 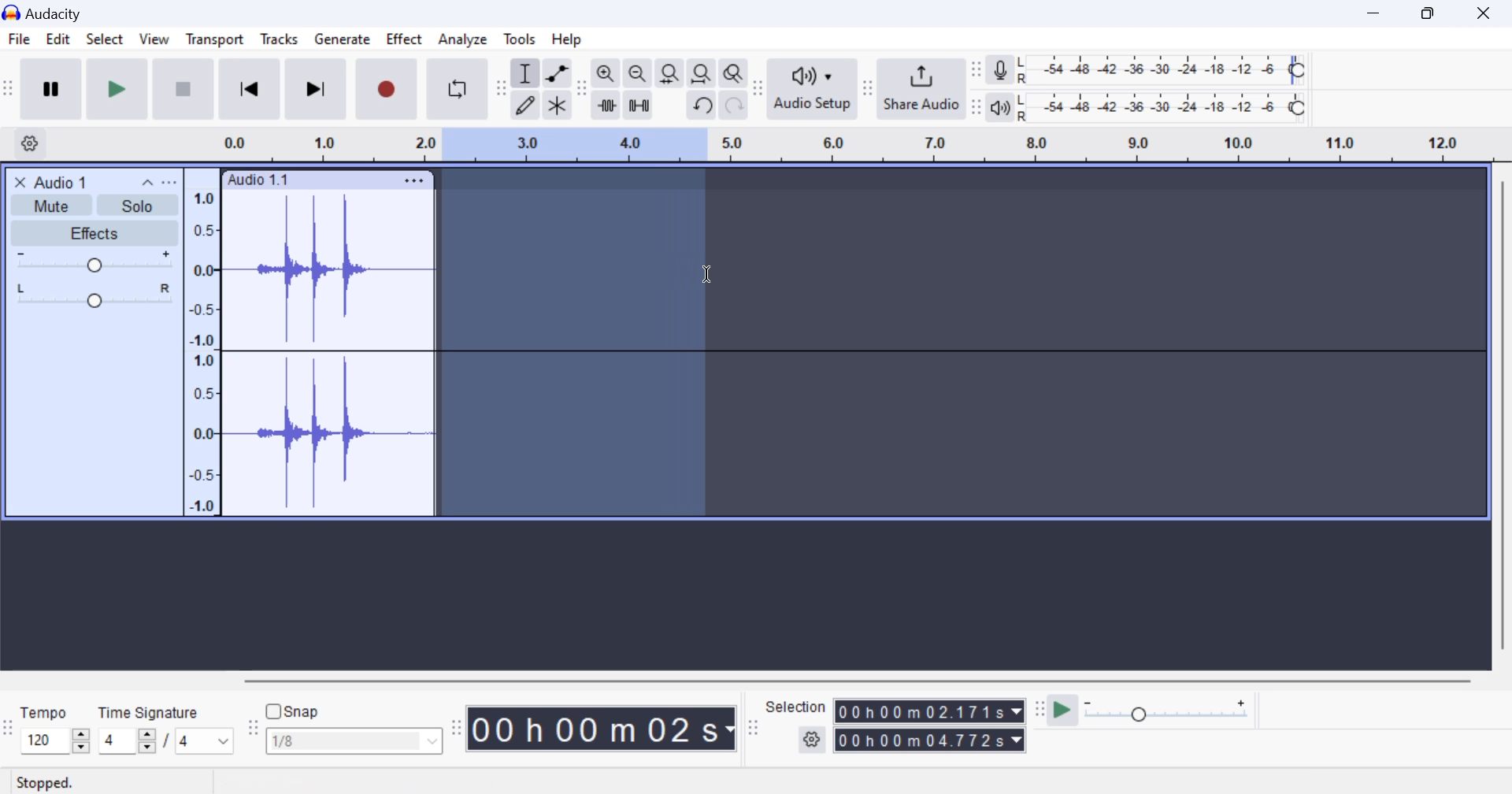 I want to click on Tools, so click(x=521, y=38).